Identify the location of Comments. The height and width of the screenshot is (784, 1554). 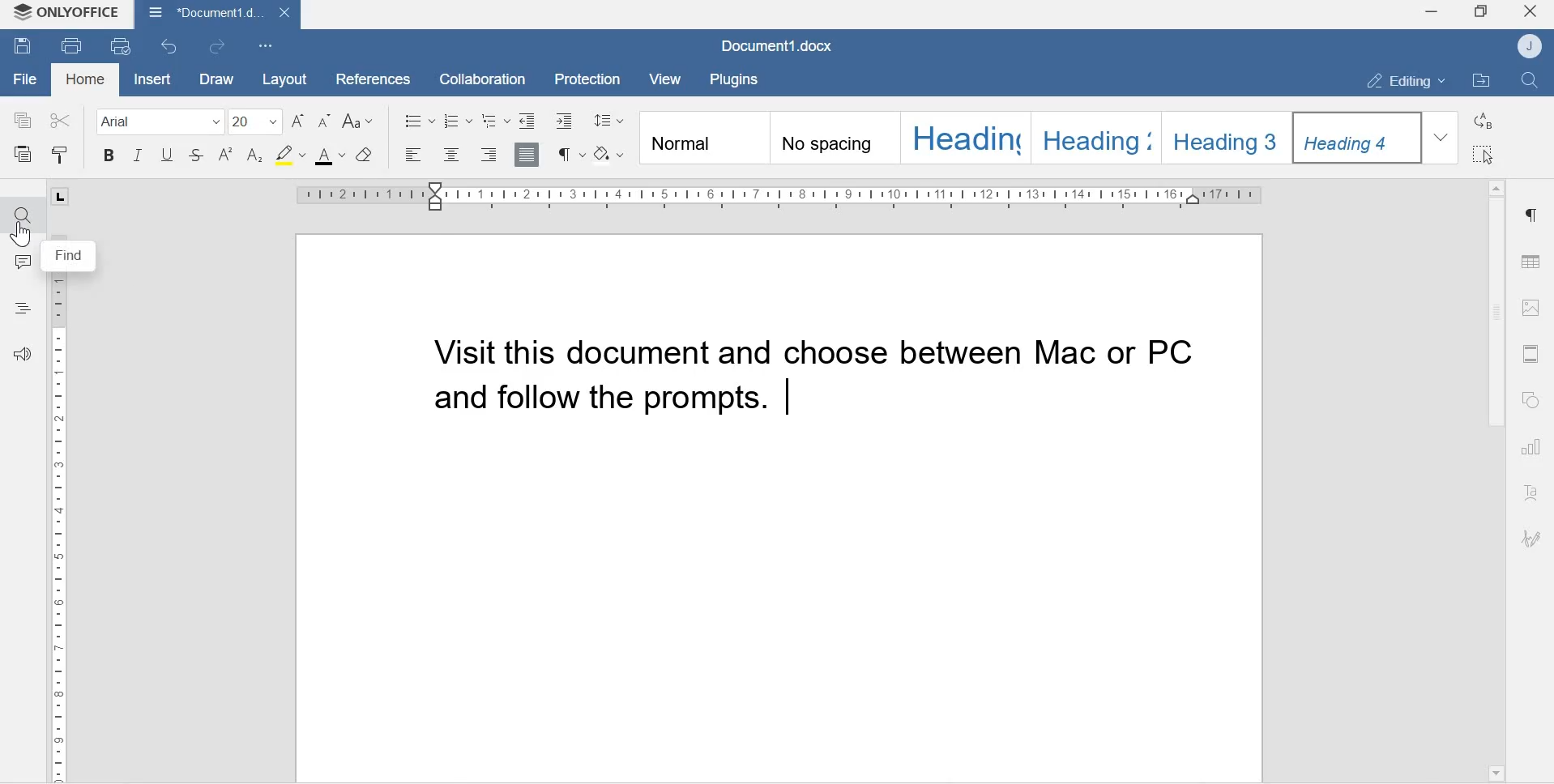
(23, 266).